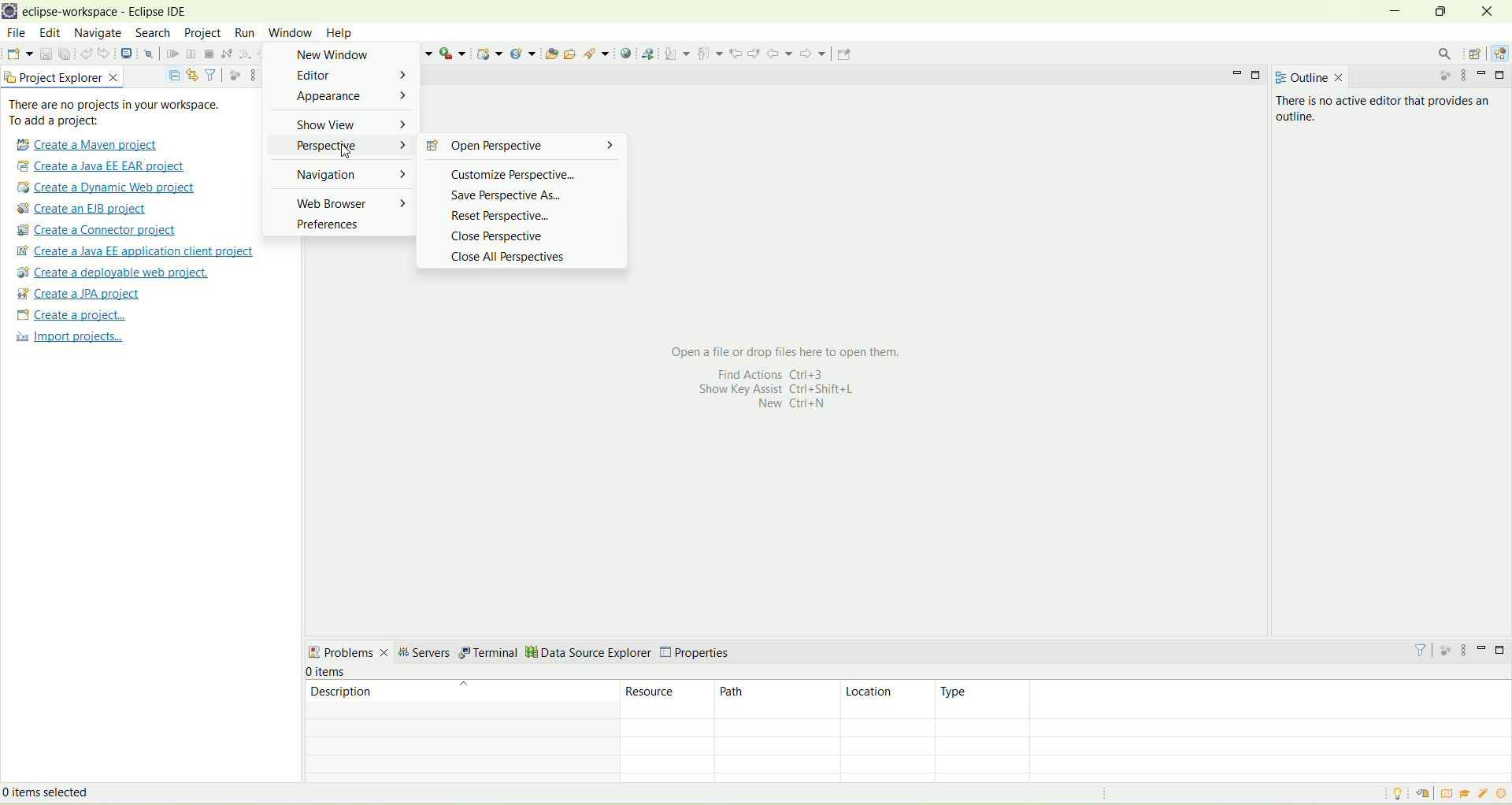 This screenshot has height=805, width=1512. Describe the element at coordinates (676, 54) in the screenshot. I see `next annotation` at that location.